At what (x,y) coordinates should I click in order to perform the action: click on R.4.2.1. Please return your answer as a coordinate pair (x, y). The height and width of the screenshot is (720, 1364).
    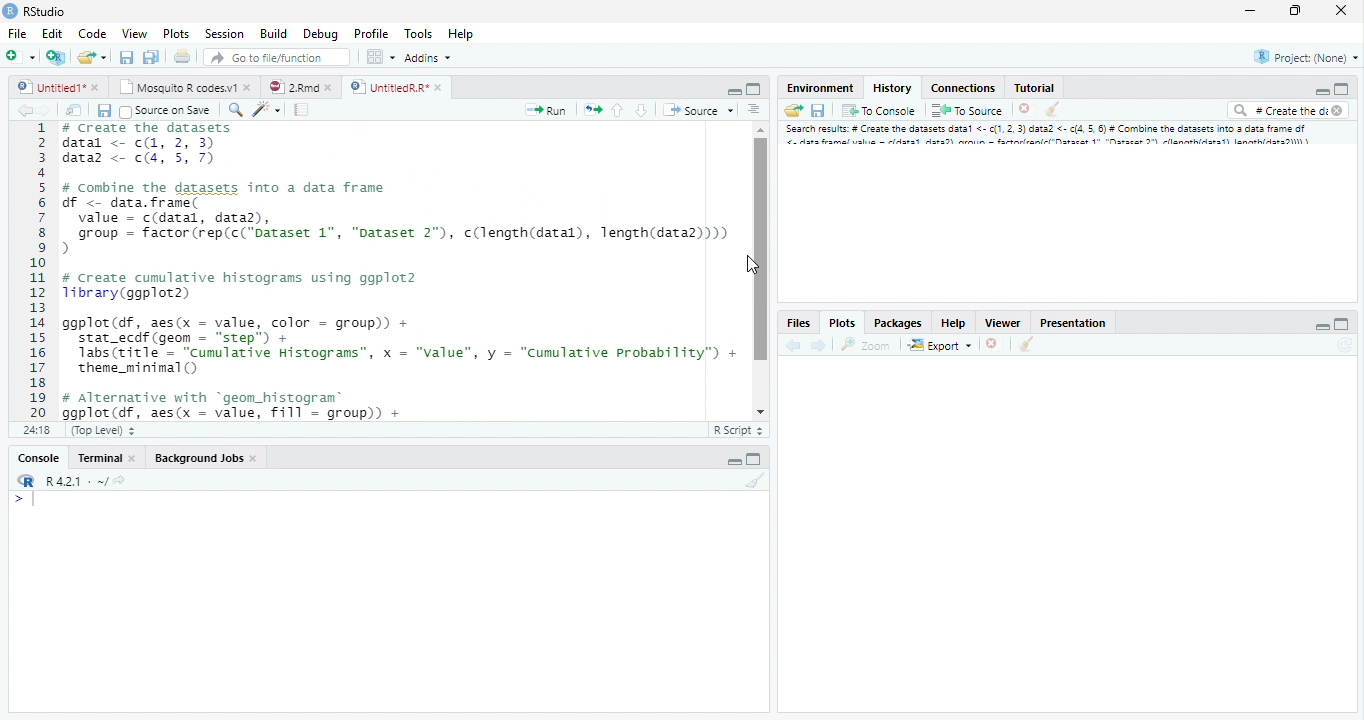
    Looking at the image, I should click on (65, 481).